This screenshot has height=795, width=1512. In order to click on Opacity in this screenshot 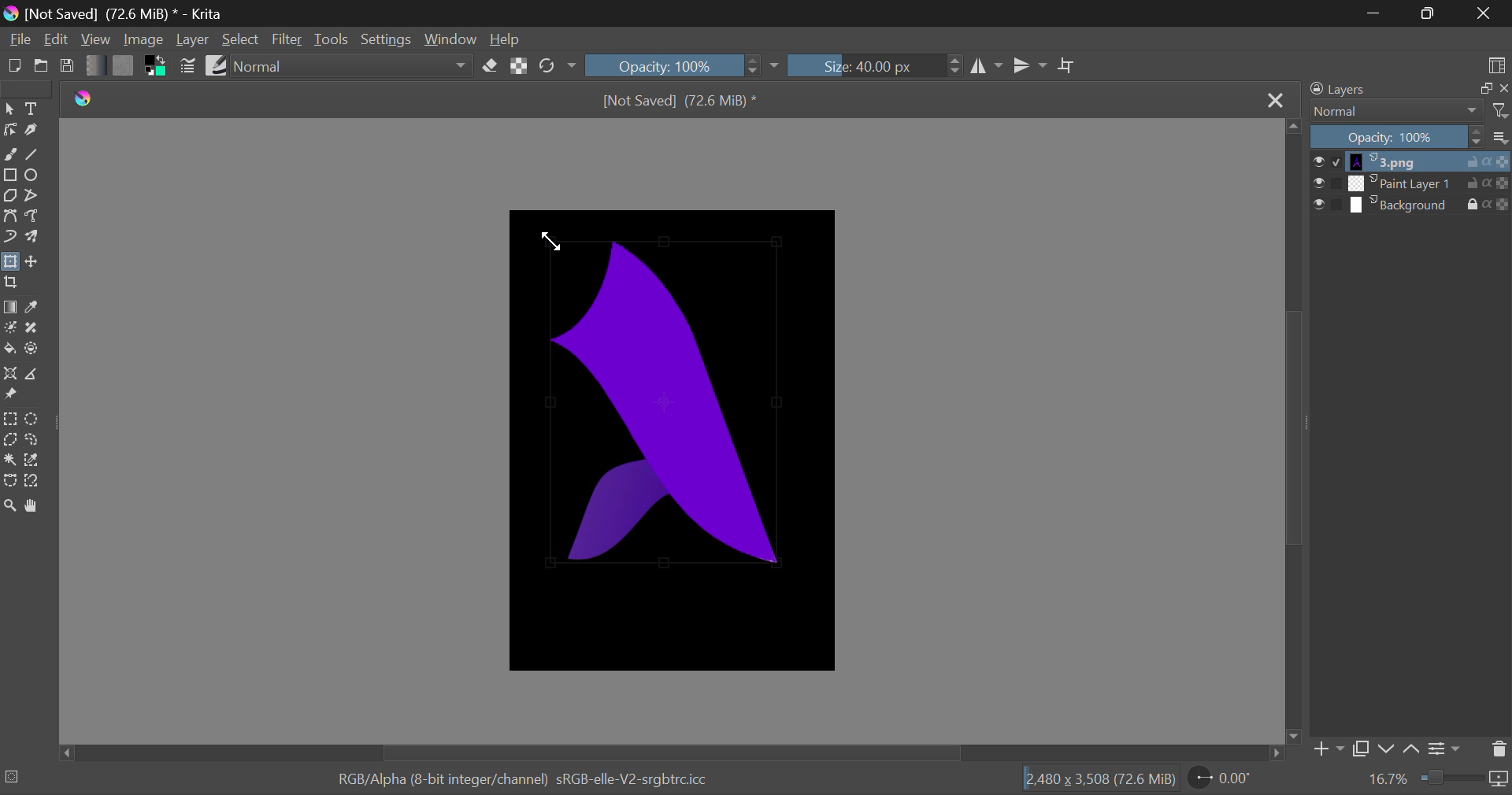, I will do `click(674, 67)`.